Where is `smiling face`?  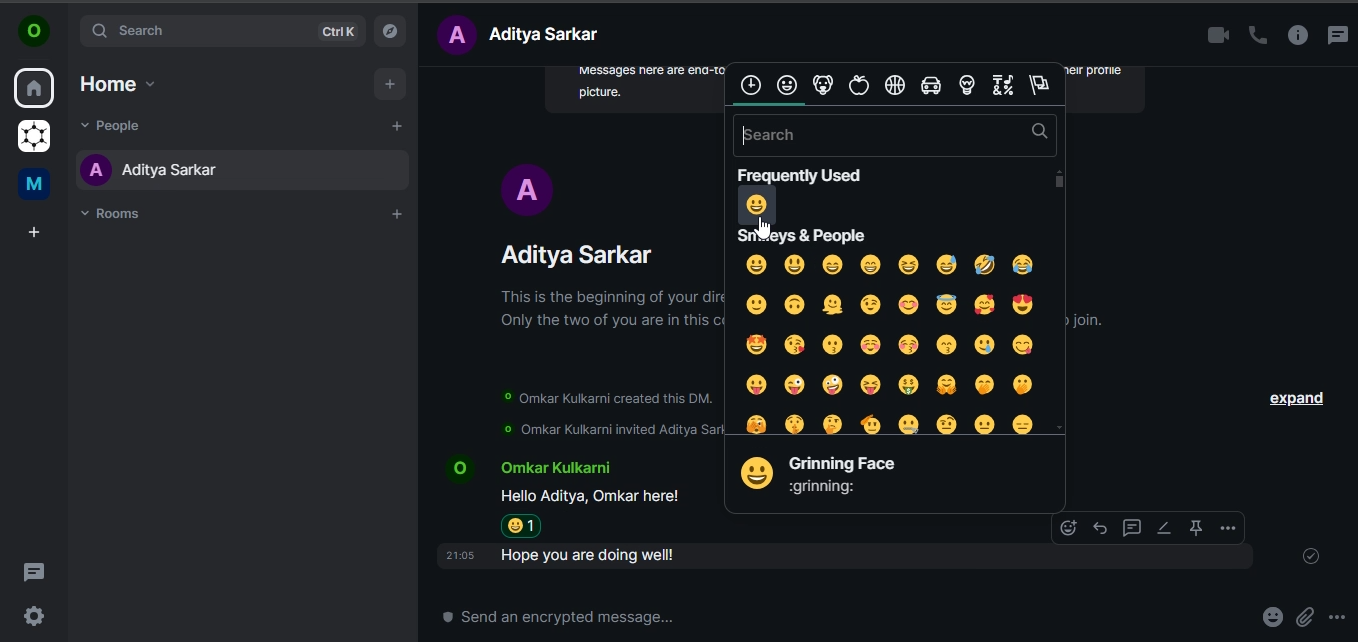
smiling face is located at coordinates (875, 344).